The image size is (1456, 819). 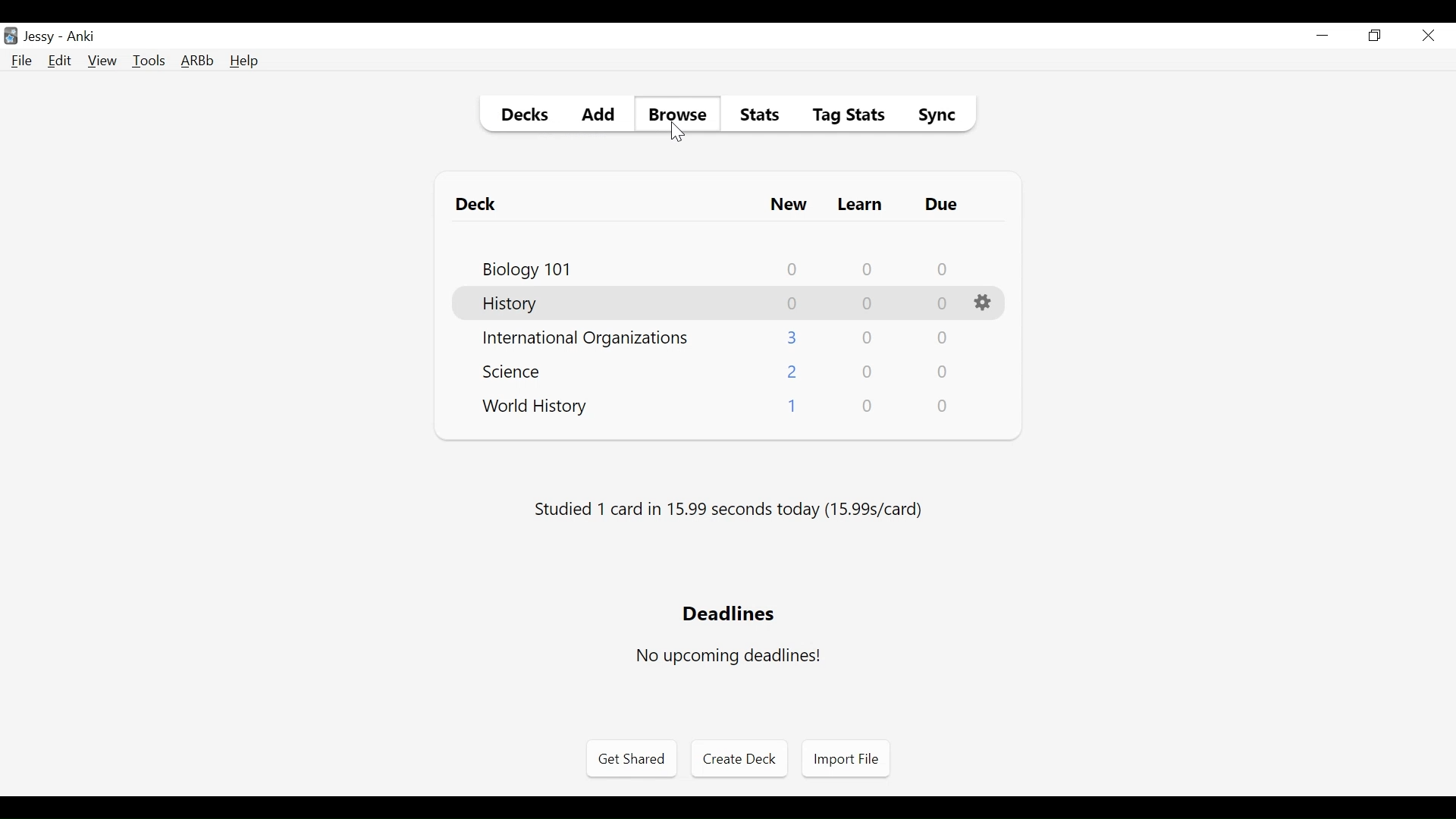 I want to click on Learn Card Count, so click(x=870, y=406).